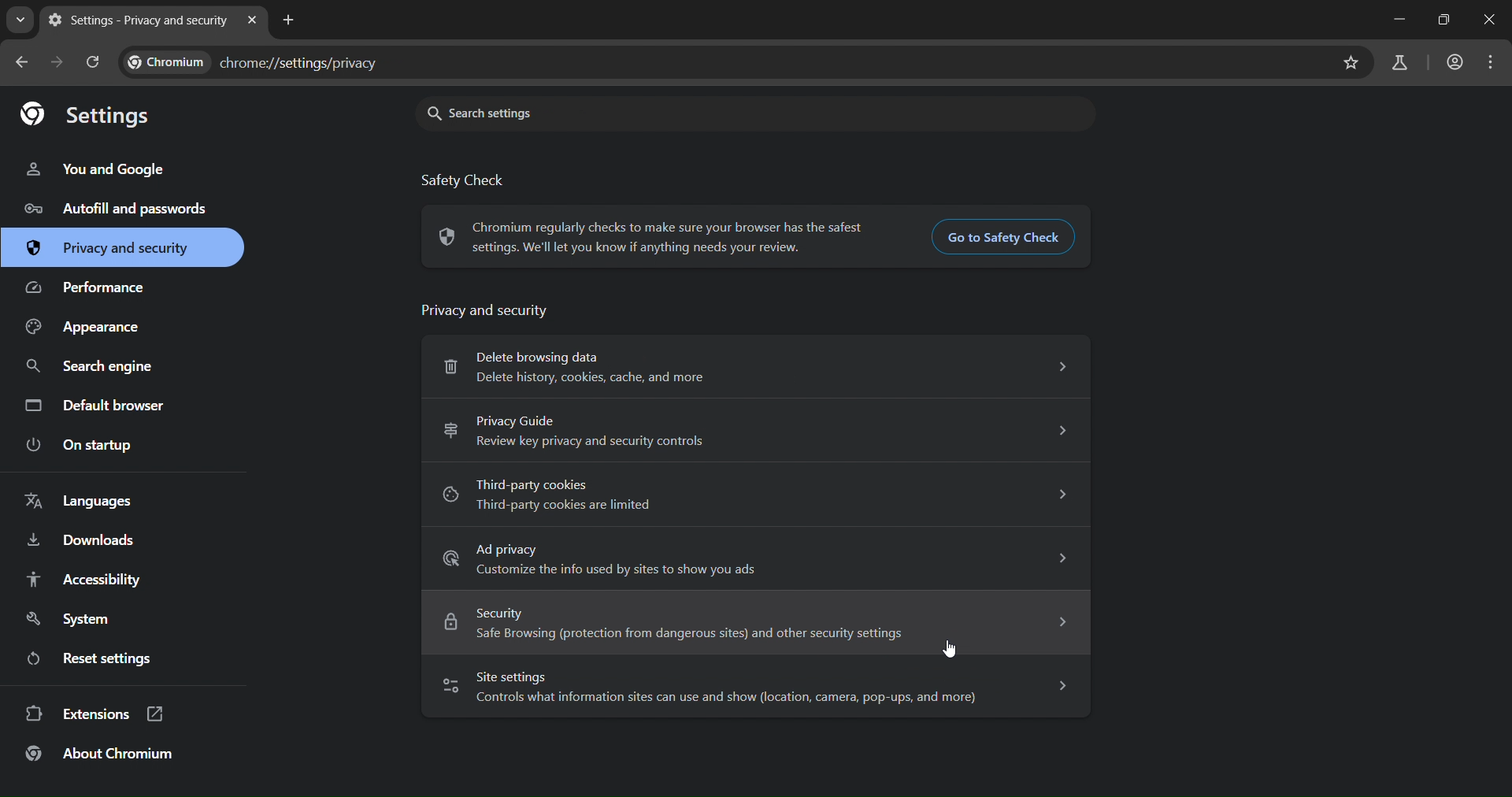 The height and width of the screenshot is (797, 1512). Describe the element at coordinates (1350, 65) in the screenshot. I see `bookmark pages` at that location.